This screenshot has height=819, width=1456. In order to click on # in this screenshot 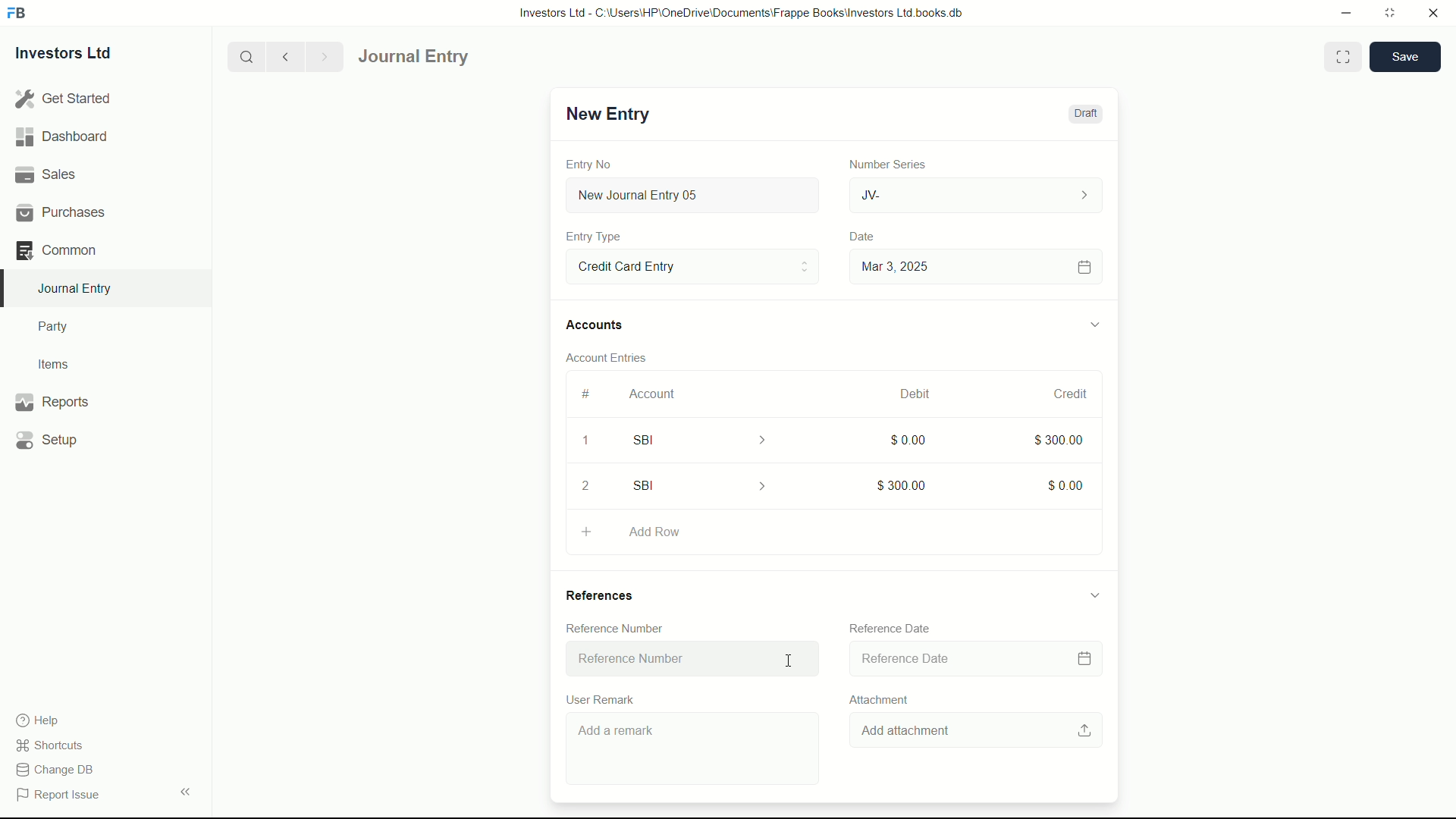, I will do `click(587, 394)`.